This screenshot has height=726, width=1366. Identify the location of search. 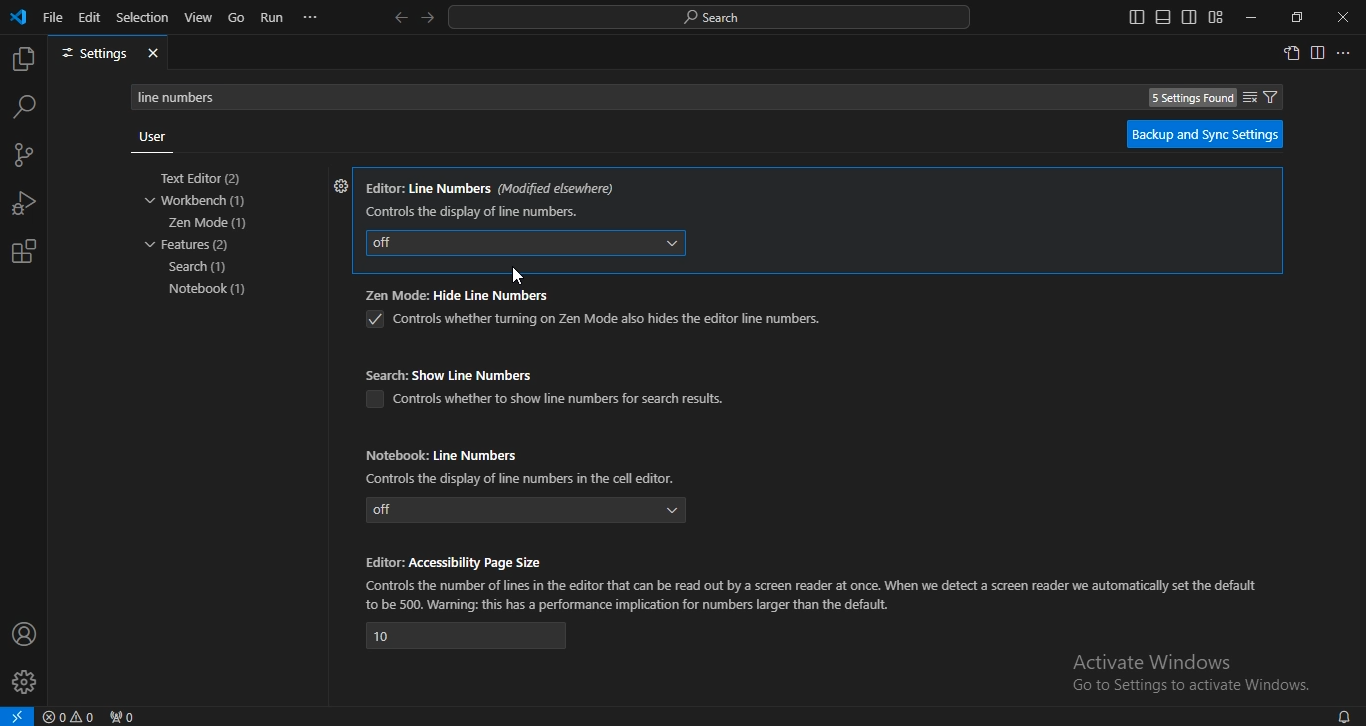
(201, 268).